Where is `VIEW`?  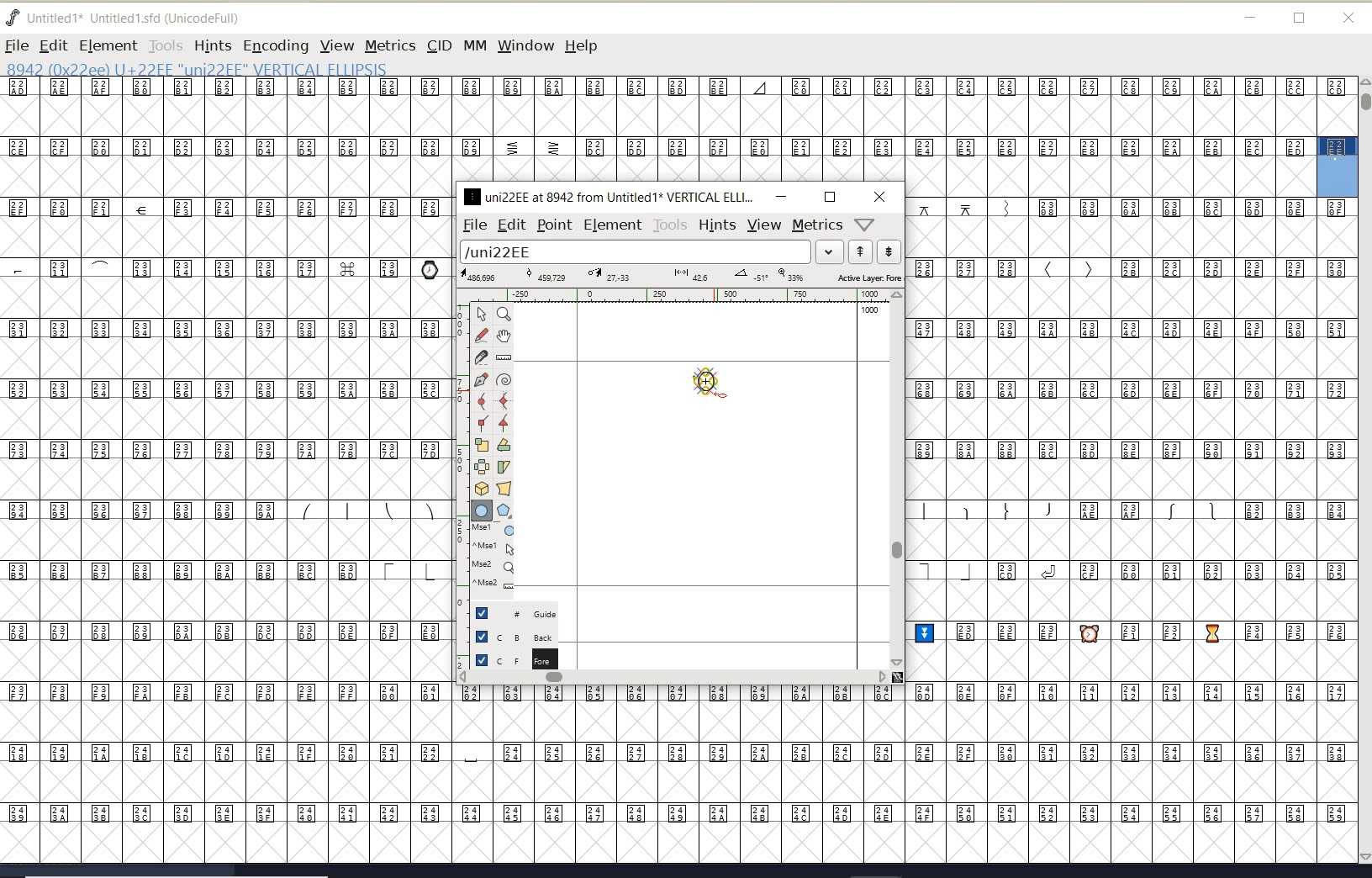
VIEW is located at coordinates (335, 45).